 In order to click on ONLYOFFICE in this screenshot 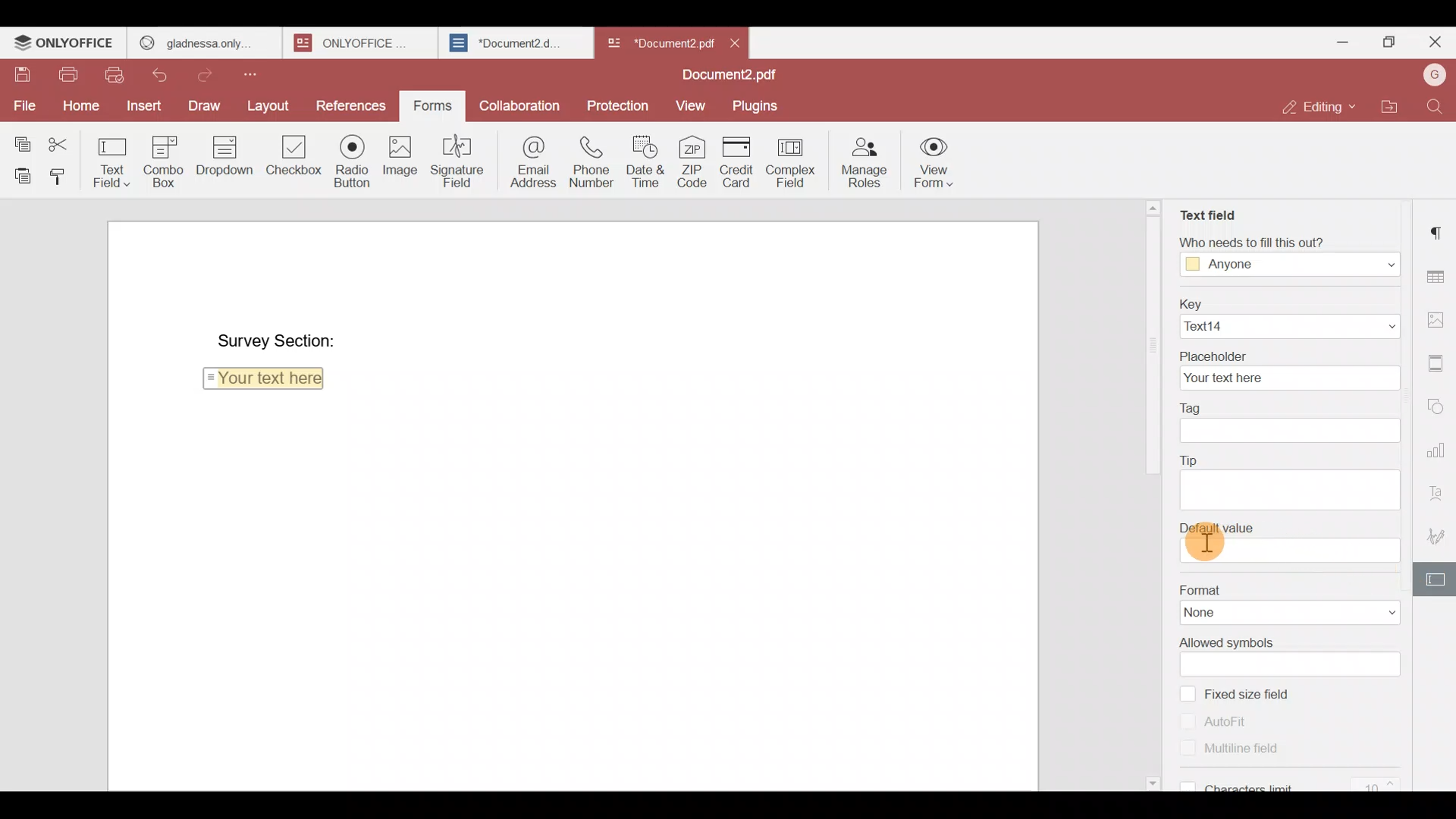, I will do `click(64, 42)`.